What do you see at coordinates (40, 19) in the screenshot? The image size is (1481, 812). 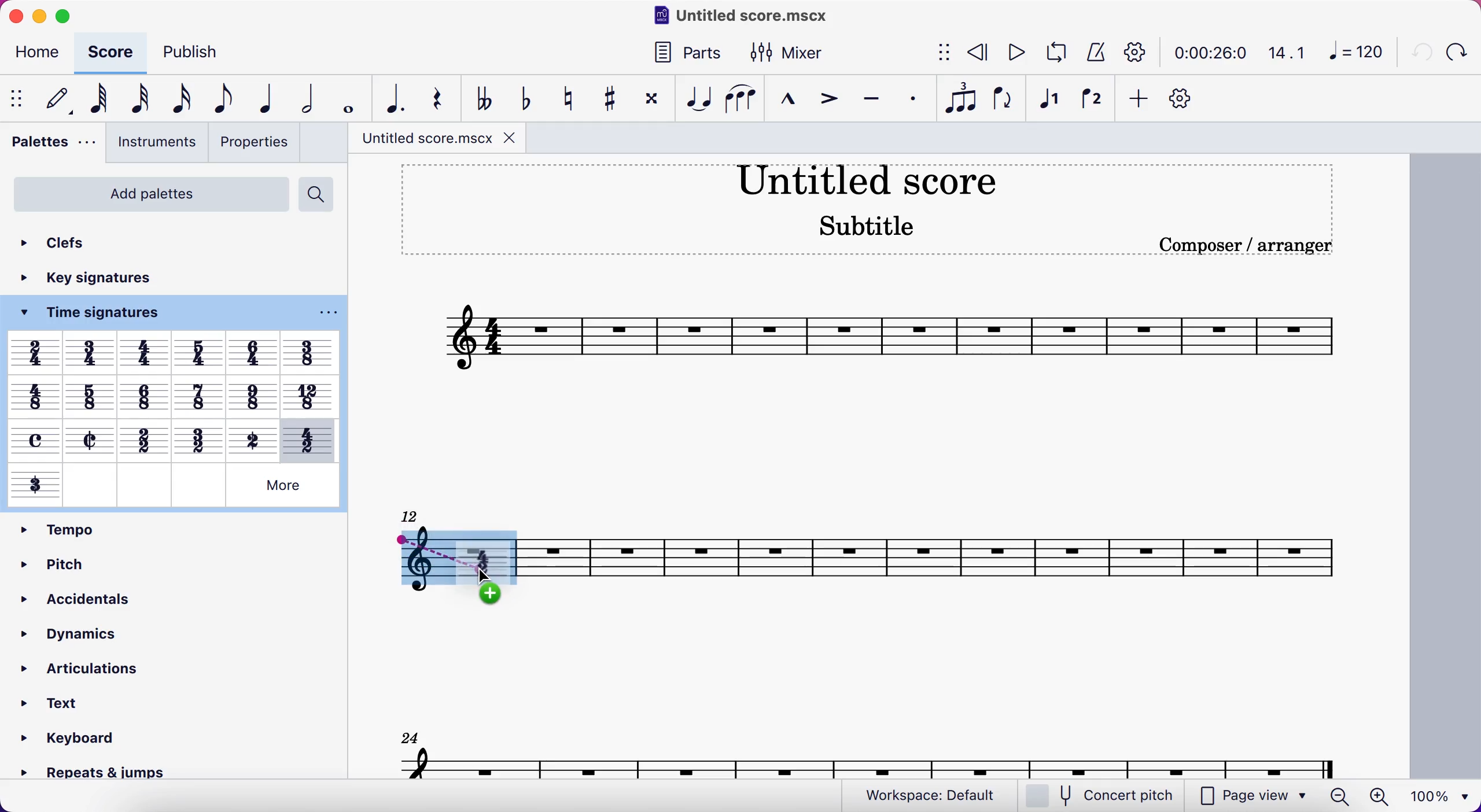 I see `minimize` at bounding box center [40, 19].